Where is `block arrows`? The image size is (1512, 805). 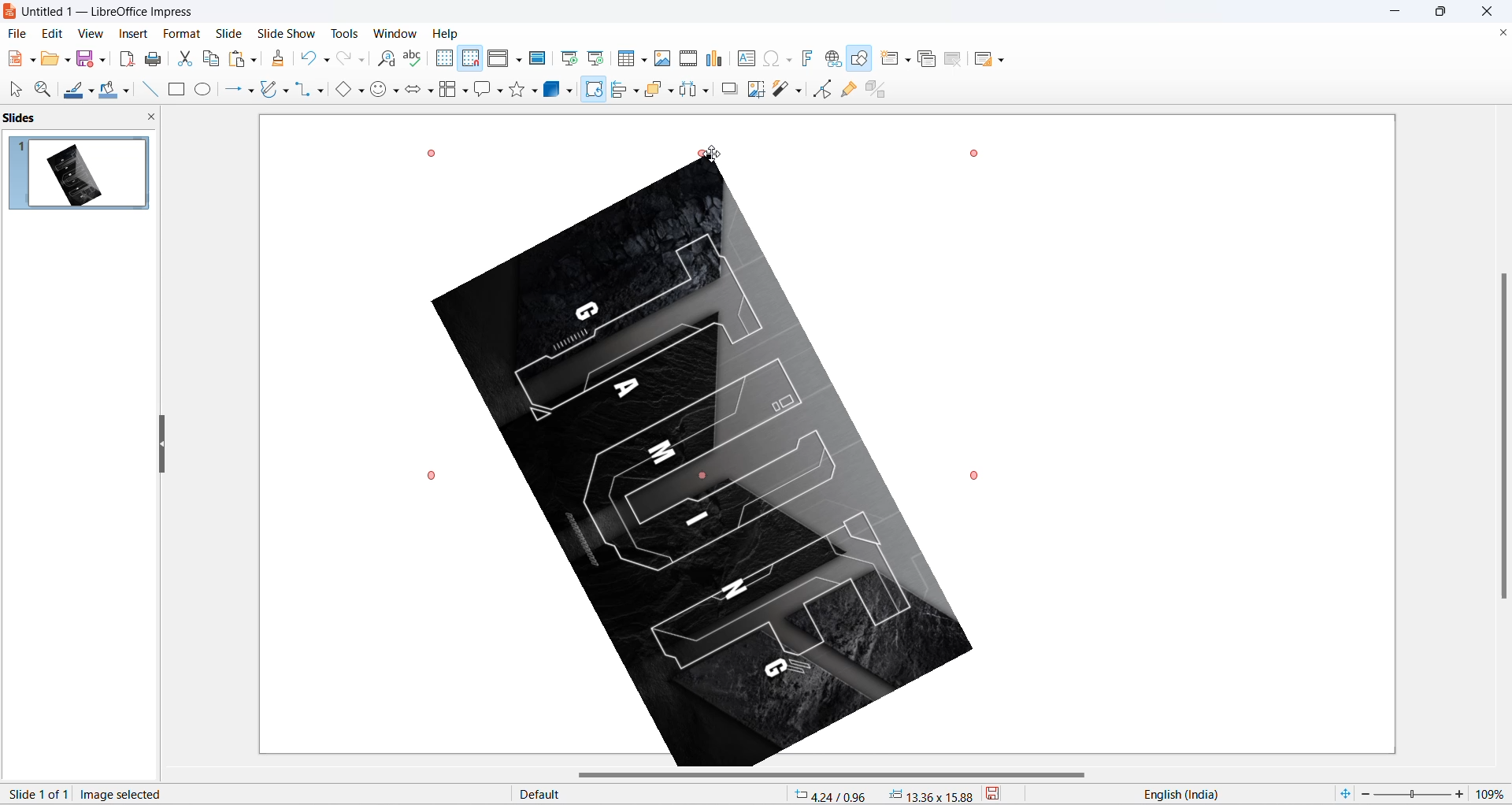
block arrows is located at coordinates (413, 92).